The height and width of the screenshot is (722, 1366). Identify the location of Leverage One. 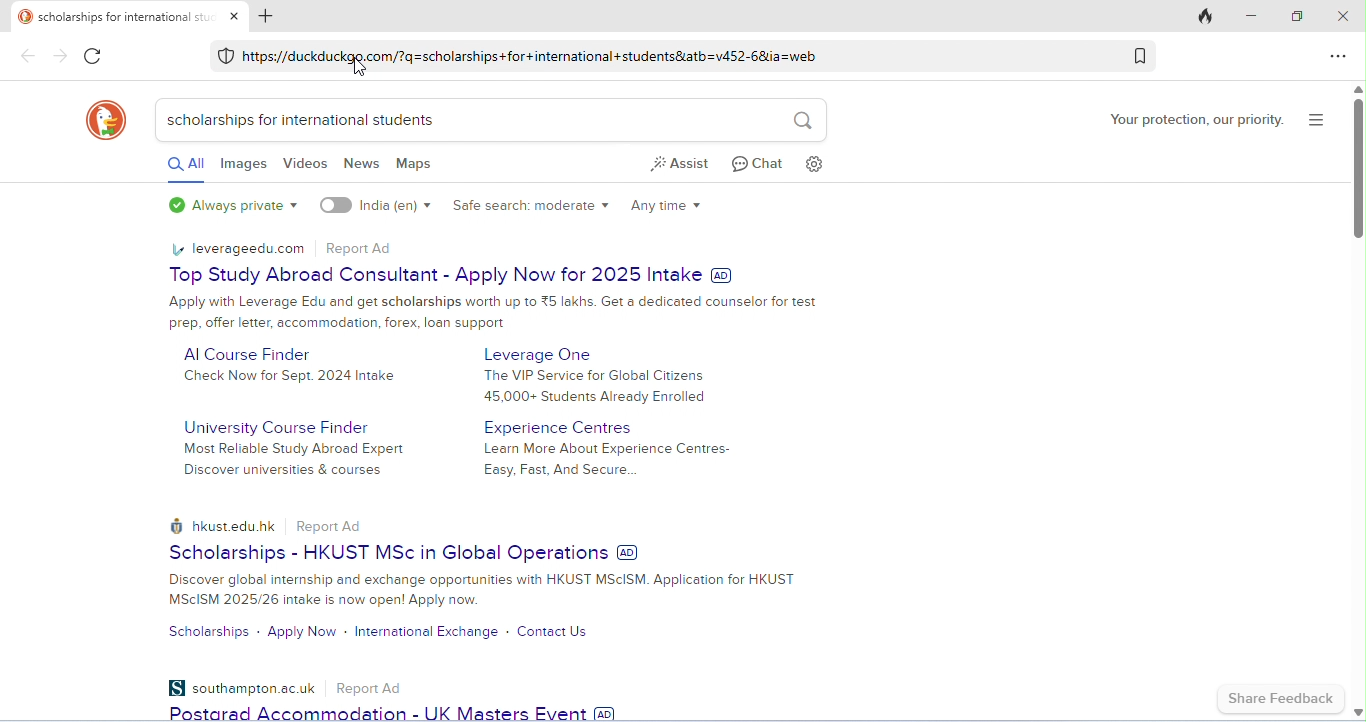
(540, 354).